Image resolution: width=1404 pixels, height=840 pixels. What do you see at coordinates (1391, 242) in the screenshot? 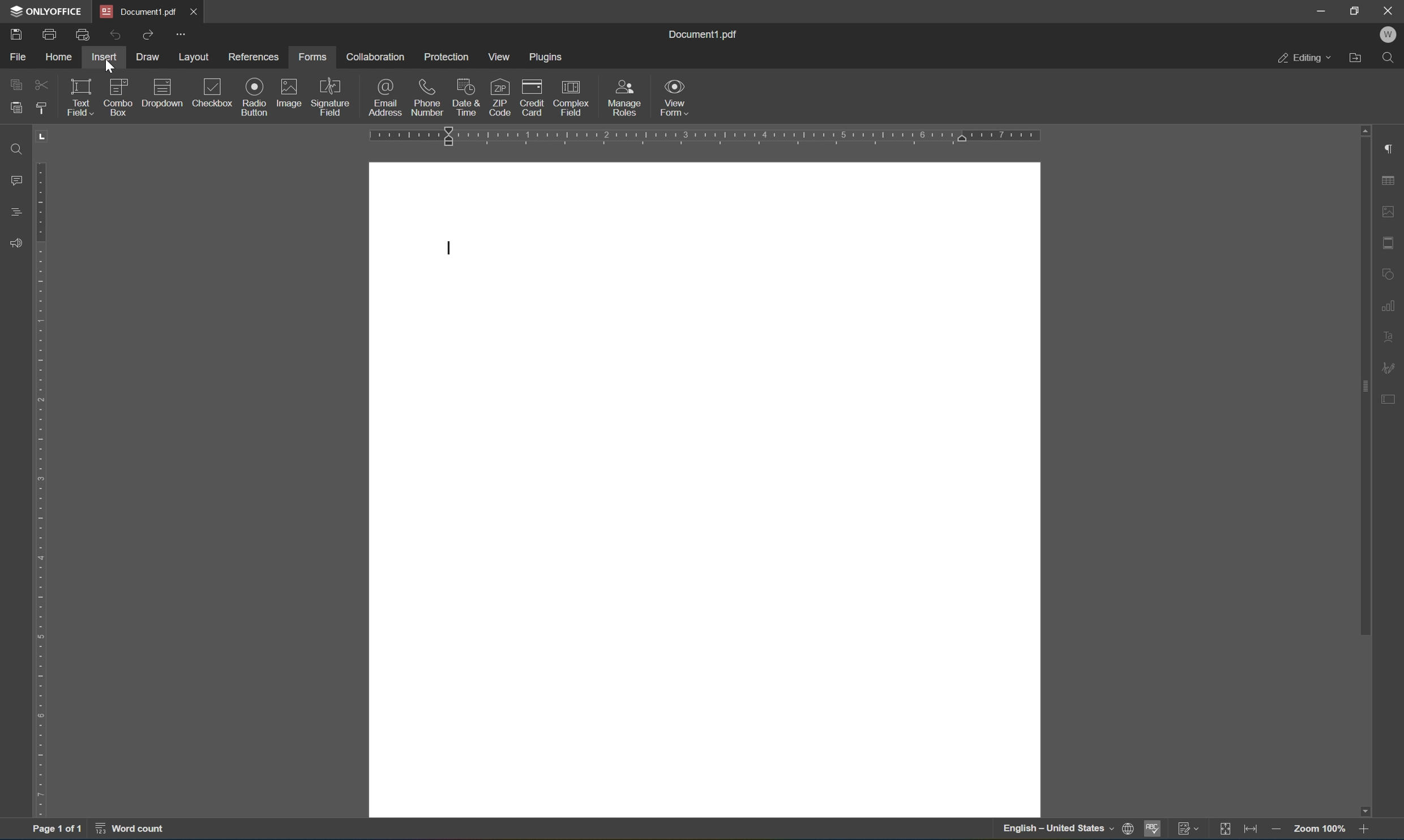
I see `header & footer settings` at bounding box center [1391, 242].